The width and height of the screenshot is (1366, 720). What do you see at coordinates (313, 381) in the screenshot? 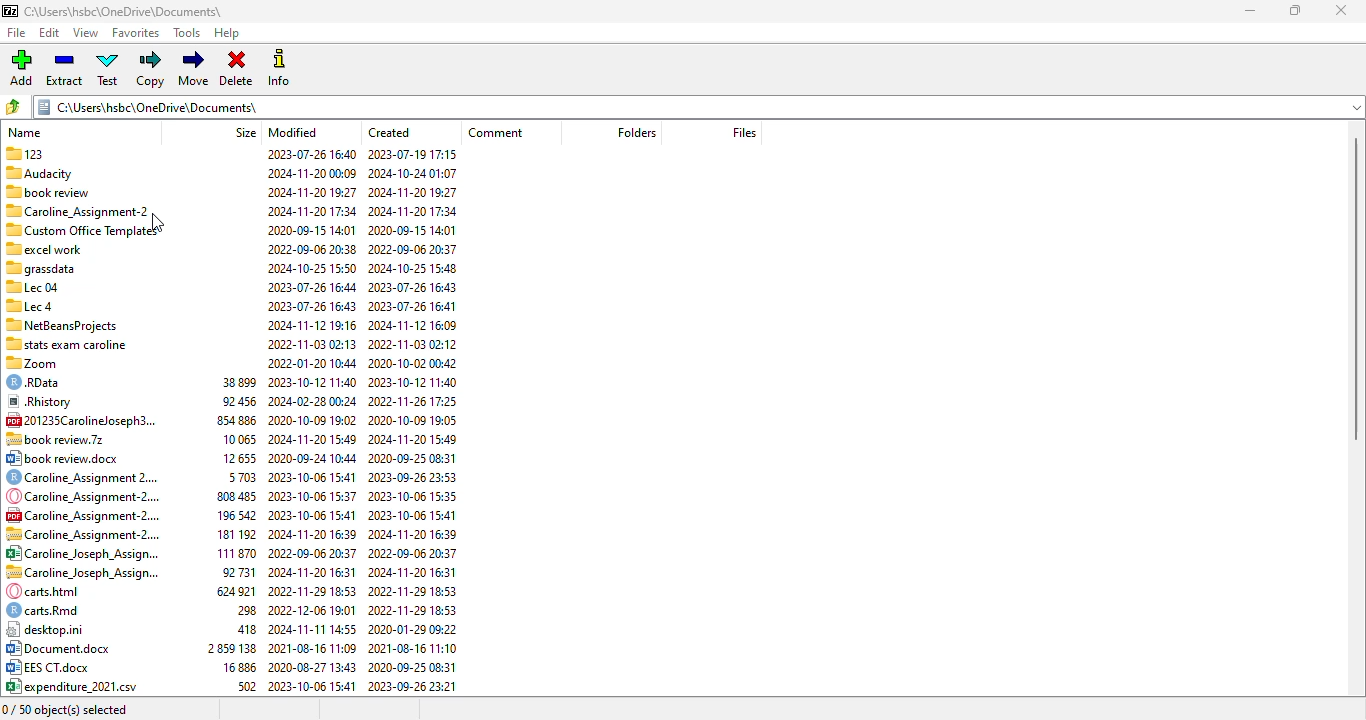
I see `2023-10-12 11:40` at bounding box center [313, 381].